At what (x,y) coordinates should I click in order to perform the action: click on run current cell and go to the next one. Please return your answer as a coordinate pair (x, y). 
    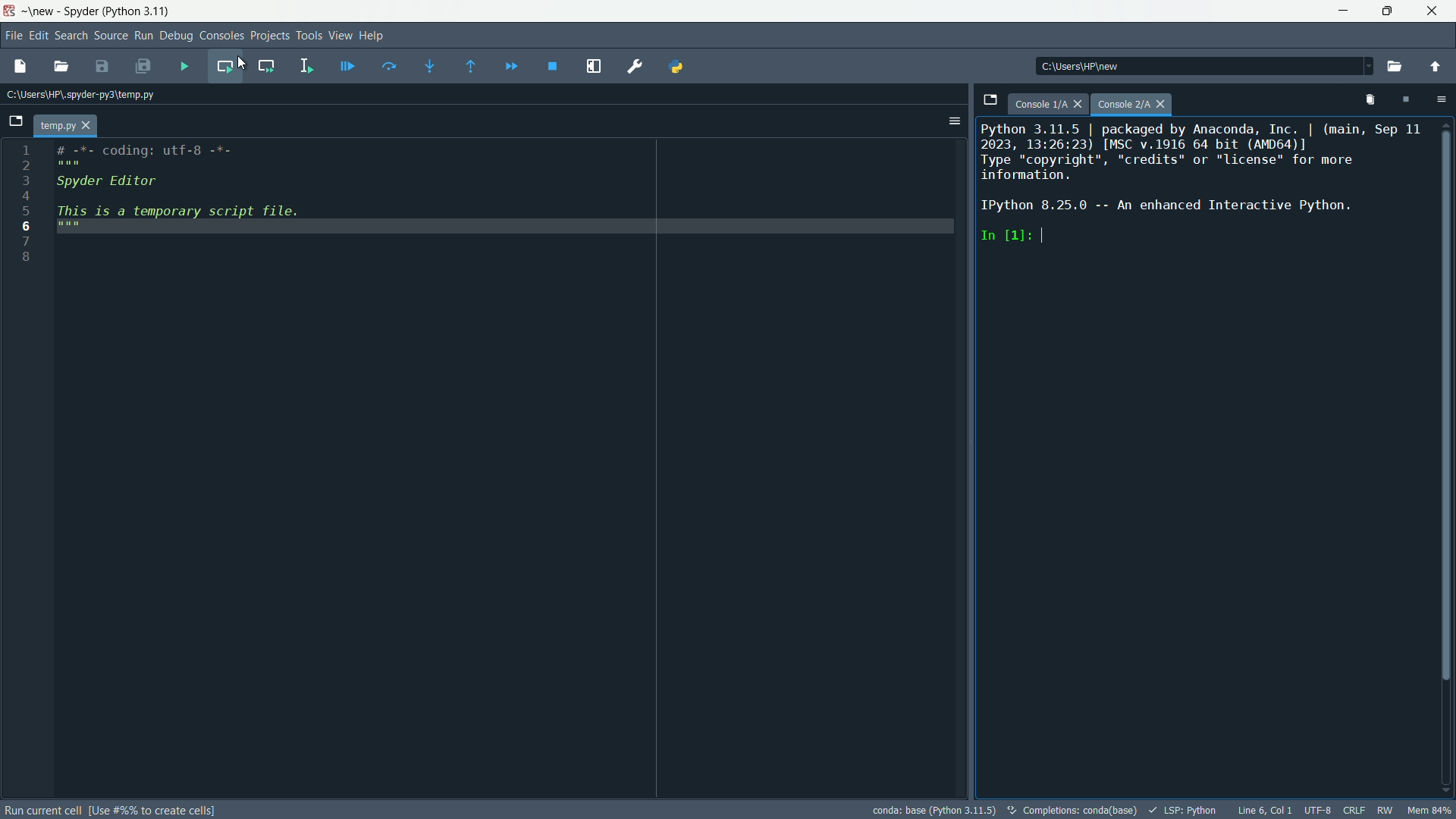
    Looking at the image, I should click on (265, 66).